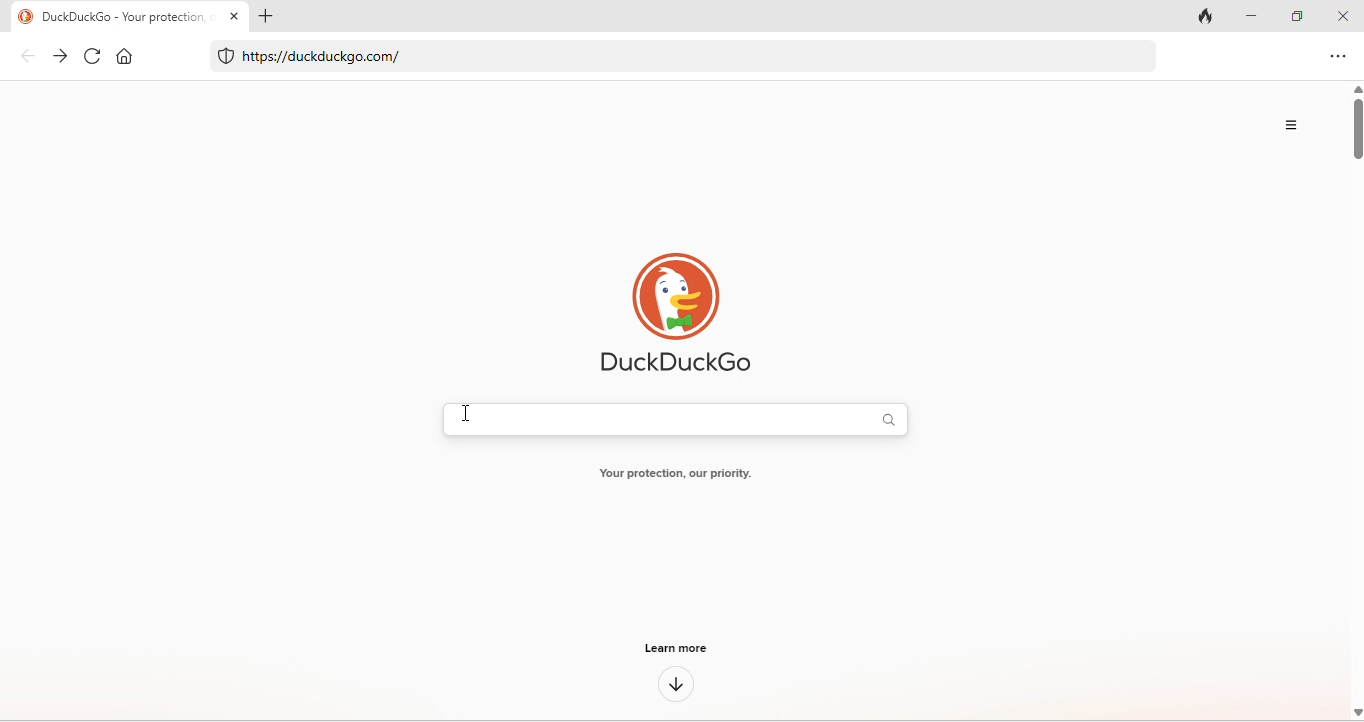 Image resolution: width=1364 pixels, height=722 pixels. I want to click on down arrow, so click(676, 684).